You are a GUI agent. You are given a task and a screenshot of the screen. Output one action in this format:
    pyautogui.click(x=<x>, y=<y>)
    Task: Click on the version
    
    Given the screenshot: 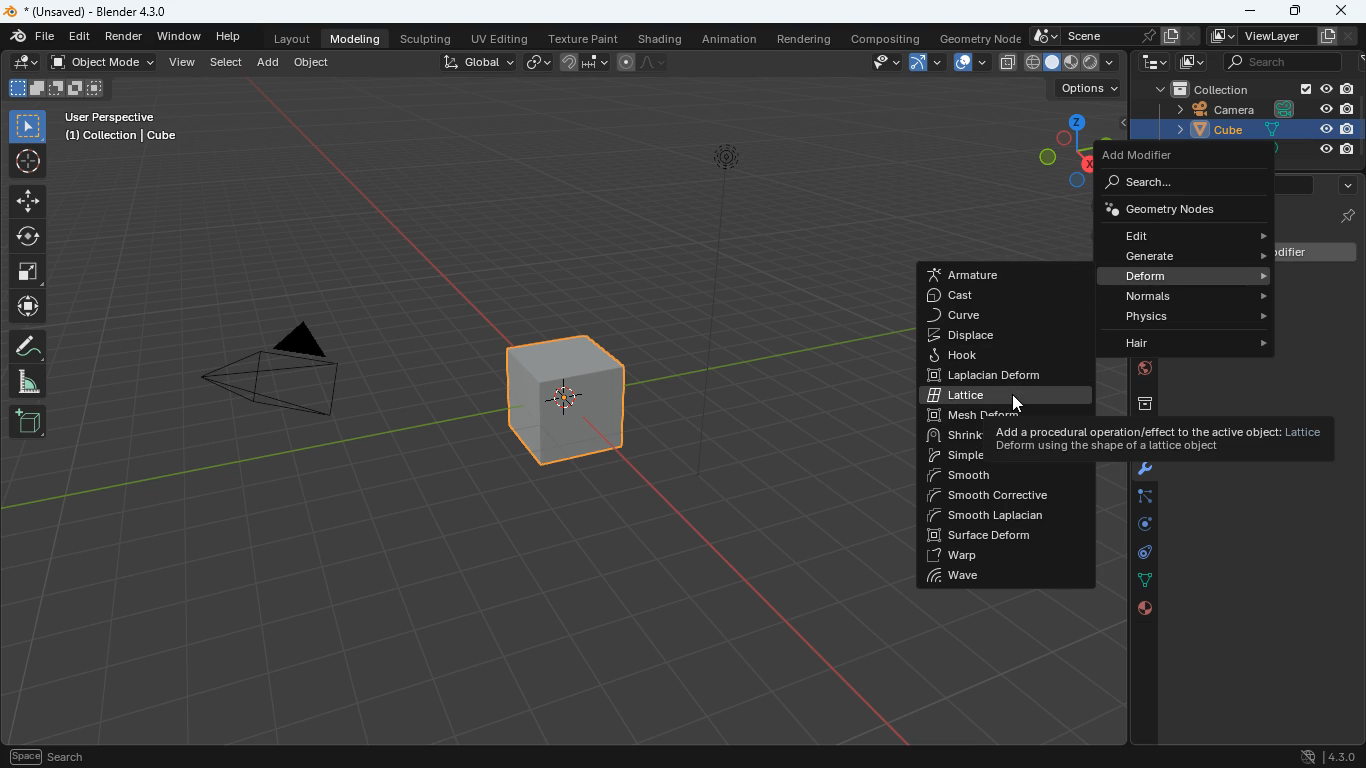 What is the action you would take?
    pyautogui.click(x=1322, y=754)
    